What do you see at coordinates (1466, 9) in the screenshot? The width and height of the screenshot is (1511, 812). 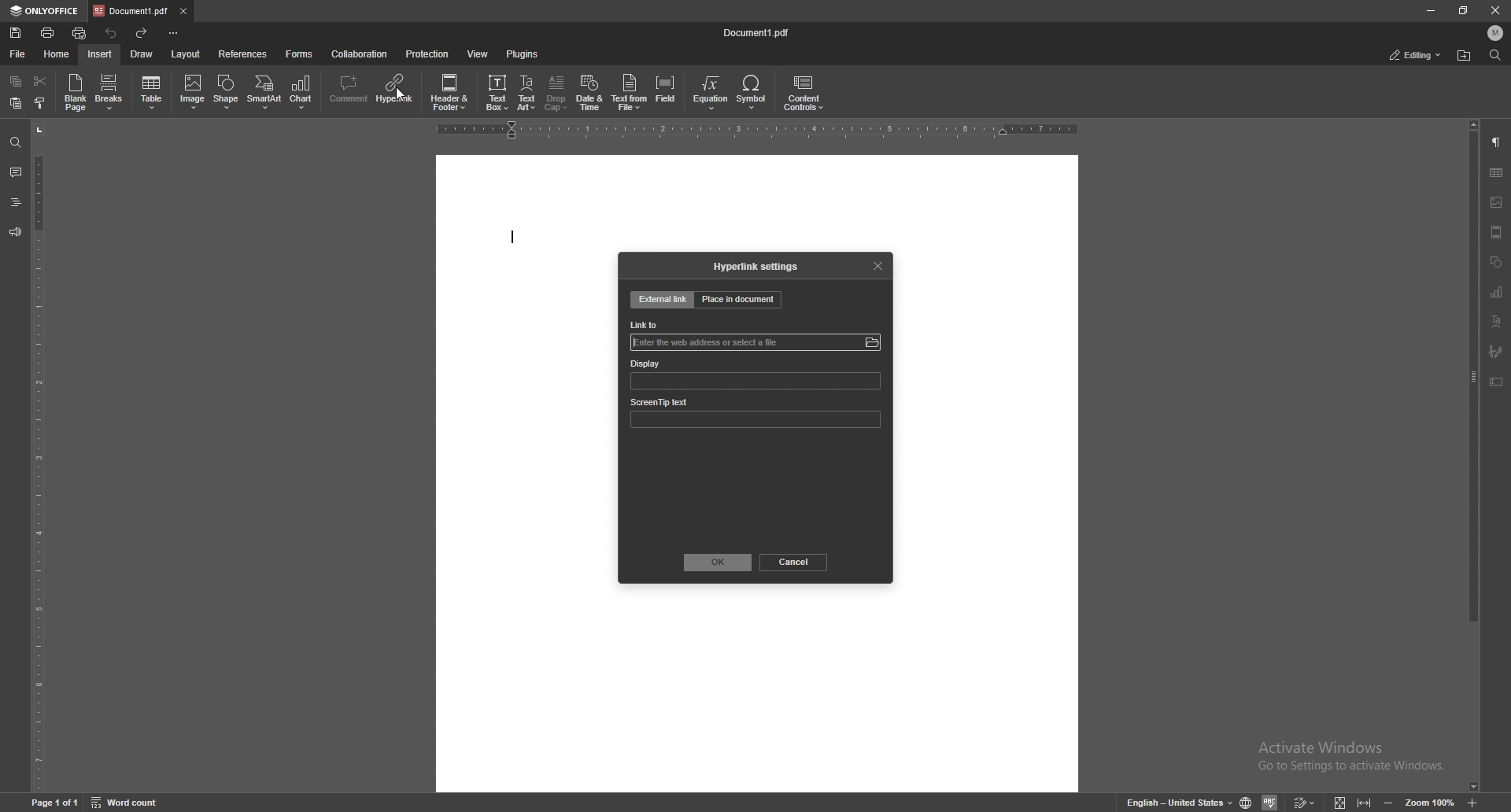 I see `resize` at bounding box center [1466, 9].